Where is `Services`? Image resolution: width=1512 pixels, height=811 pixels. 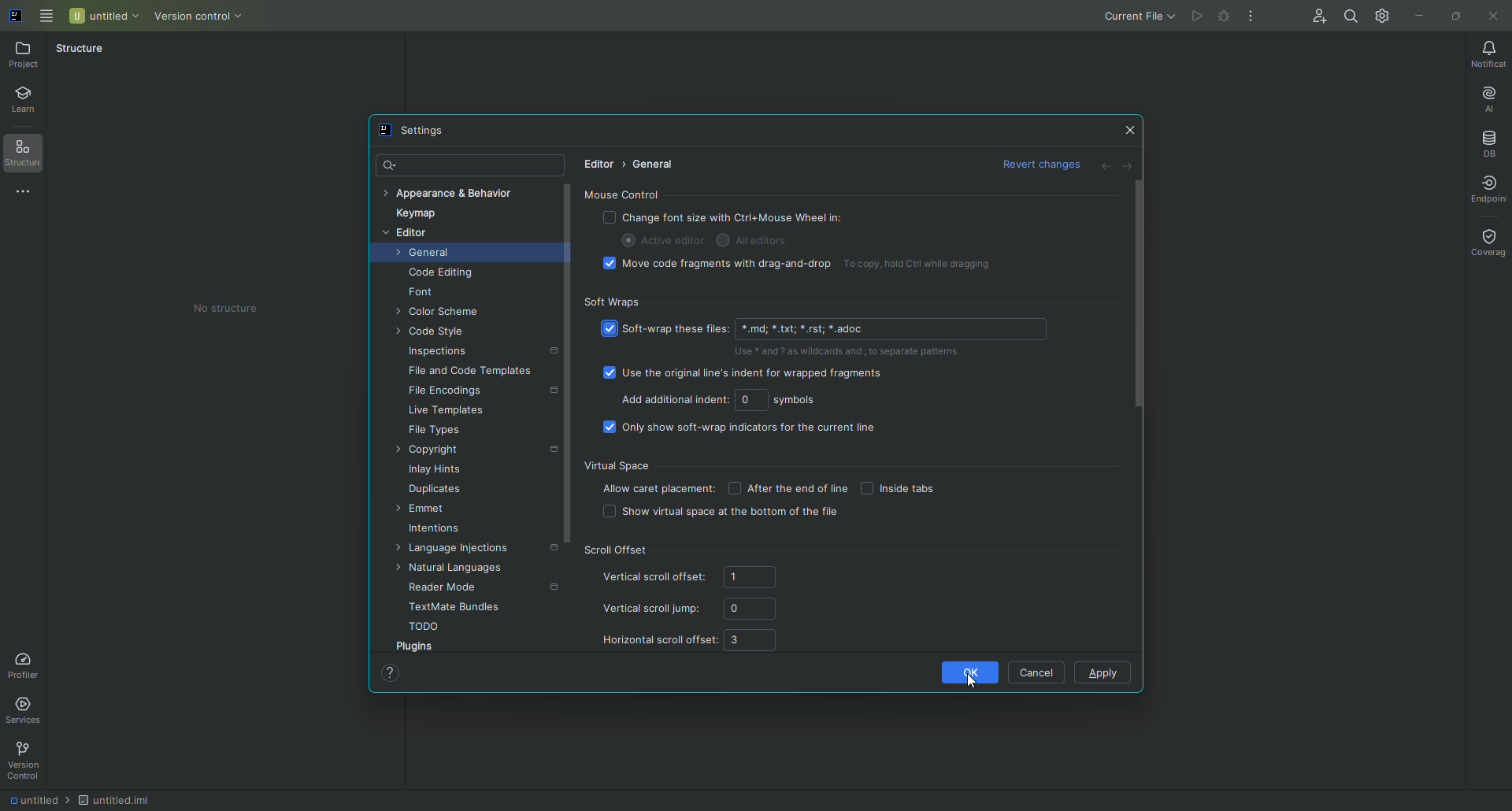 Services is located at coordinates (33, 710).